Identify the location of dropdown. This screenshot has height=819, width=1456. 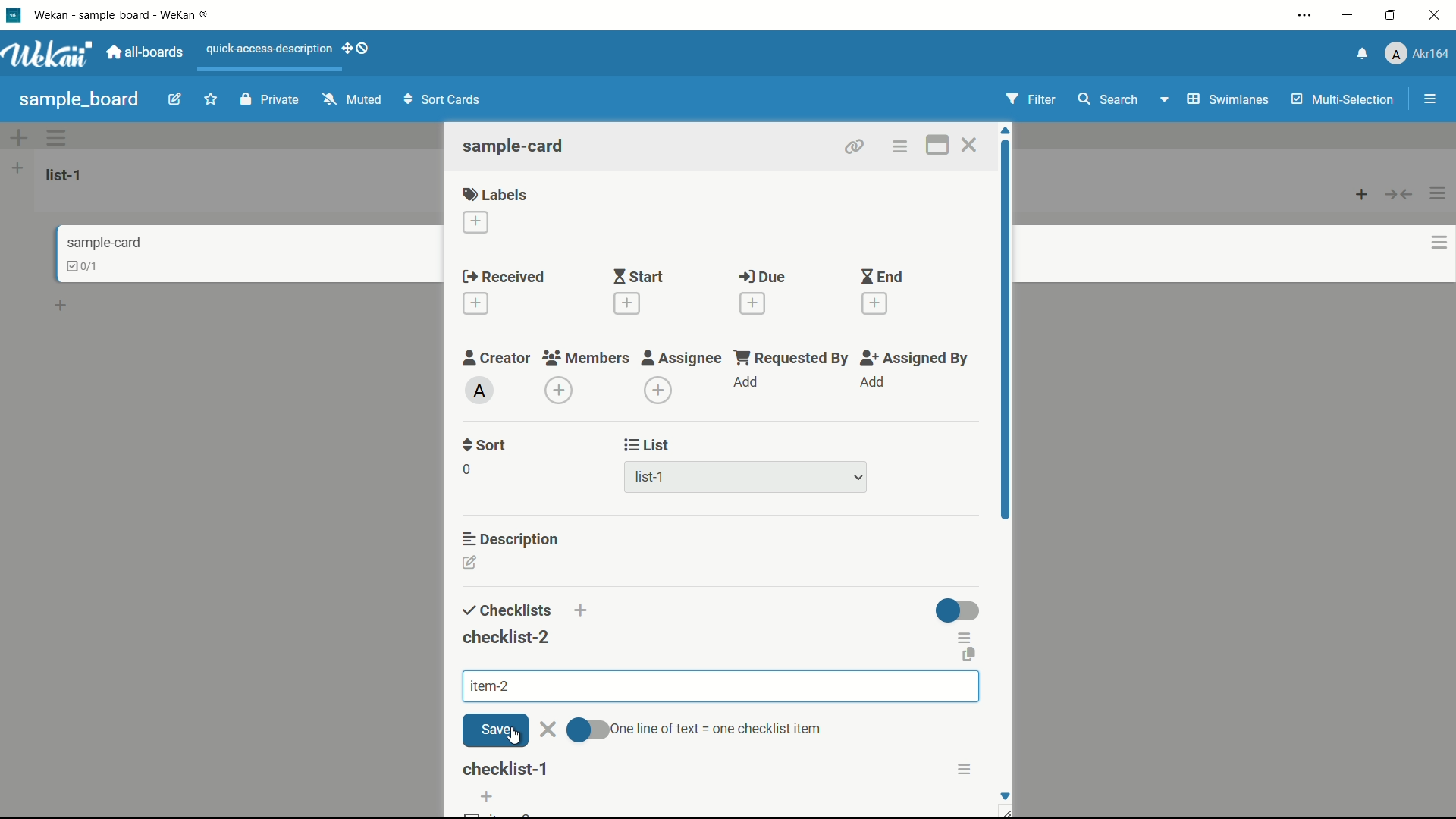
(858, 479).